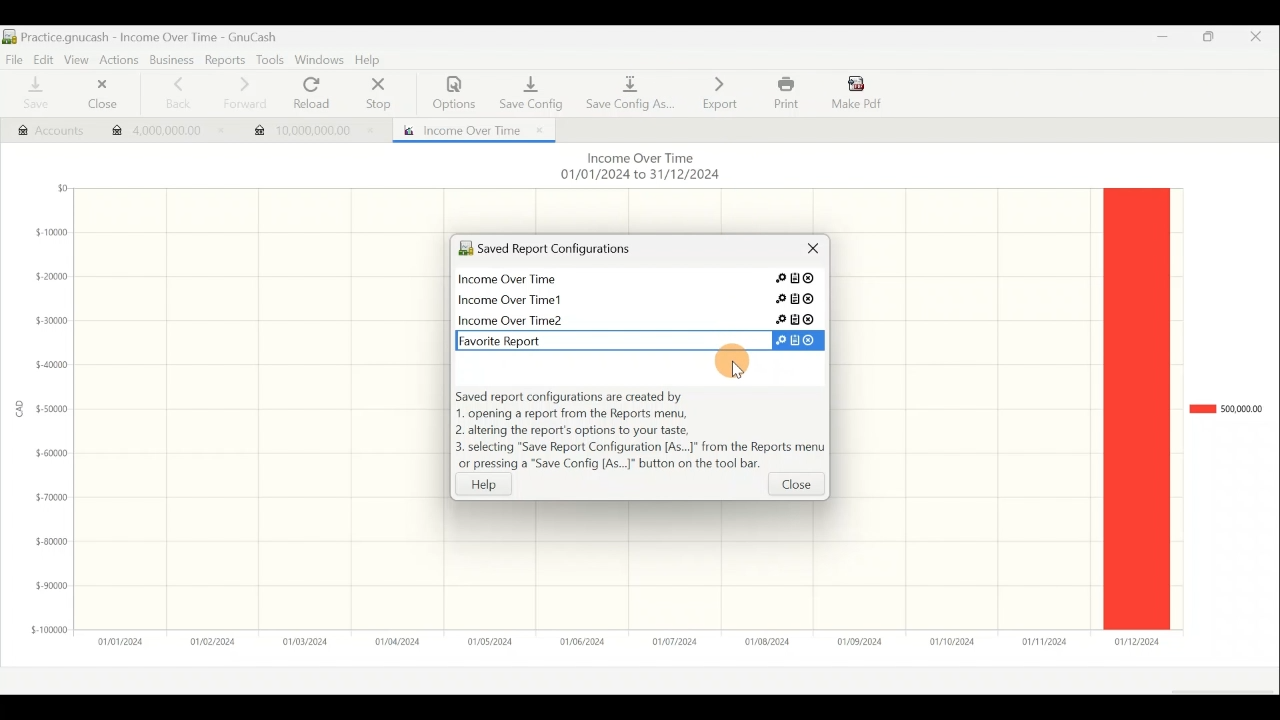 Image resolution: width=1280 pixels, height=720 pixels. What do you see at coordinates (616, 641) in the screenshot?
I see `x-axis (date range)` at bounding box center [616, 641].